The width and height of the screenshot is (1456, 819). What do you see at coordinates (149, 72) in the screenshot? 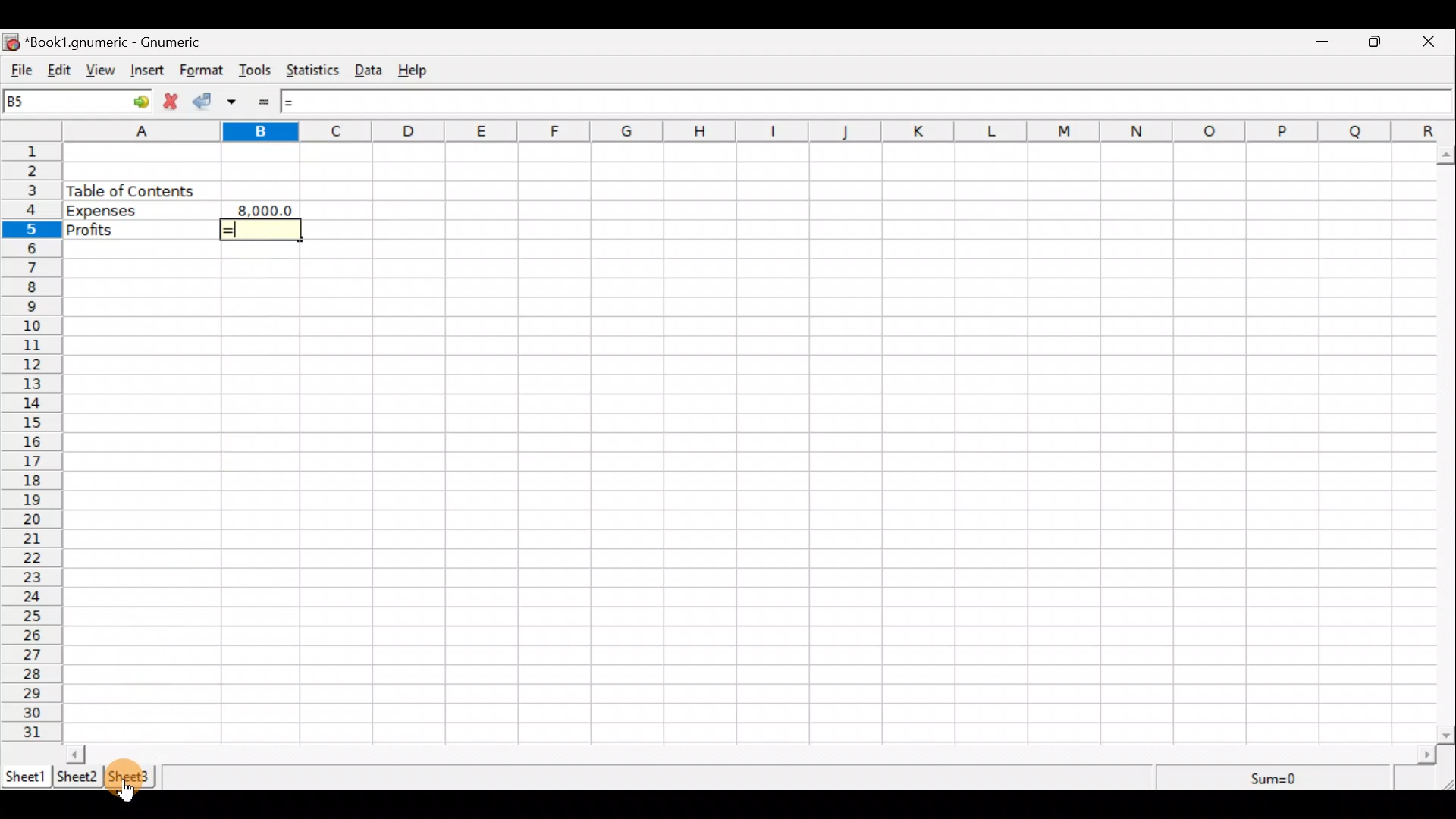
I see `Insert` at bounding box center [149, 72].